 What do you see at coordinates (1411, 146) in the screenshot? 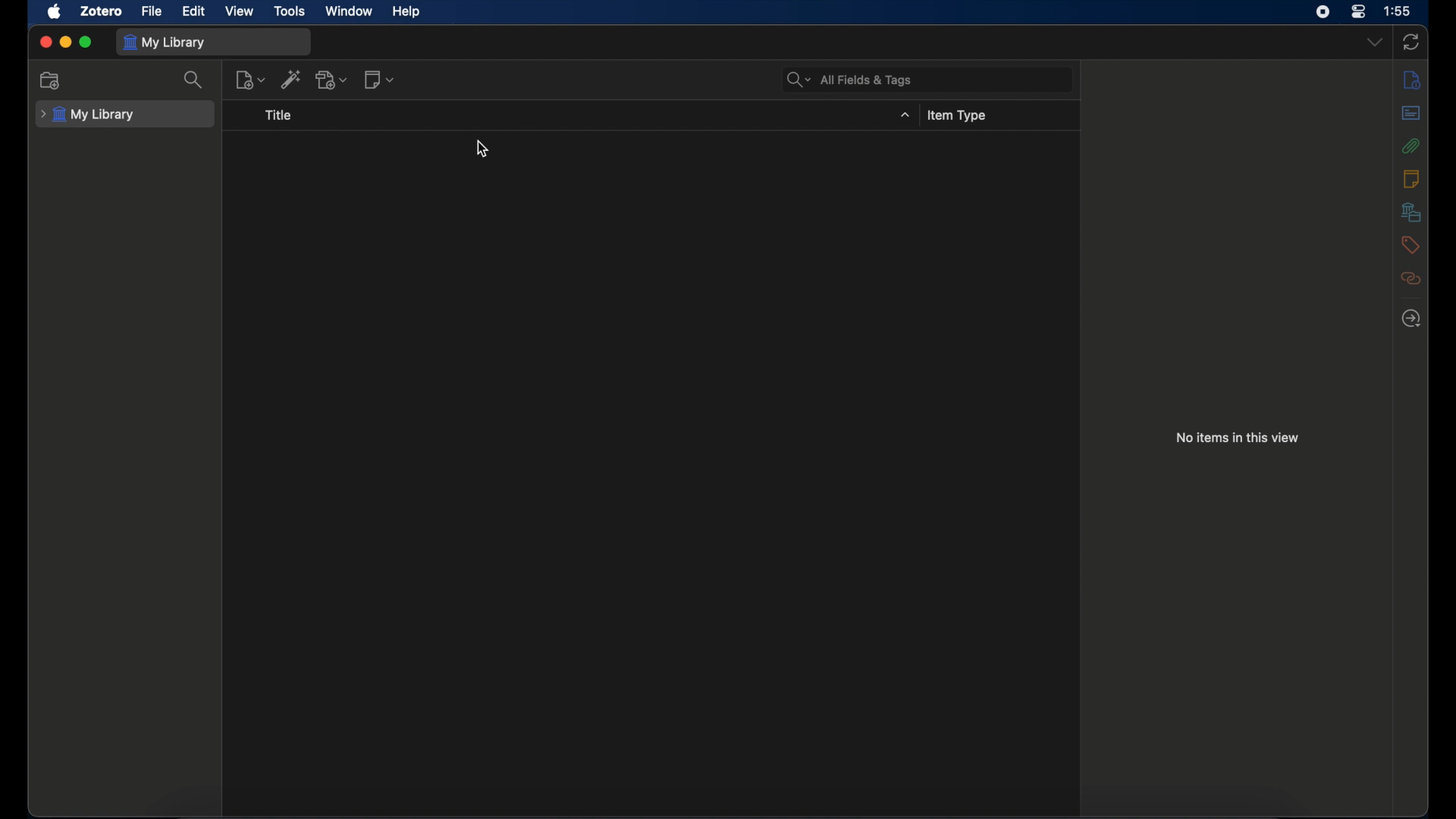
I see `attachments` at bounding box center [1411, 146].